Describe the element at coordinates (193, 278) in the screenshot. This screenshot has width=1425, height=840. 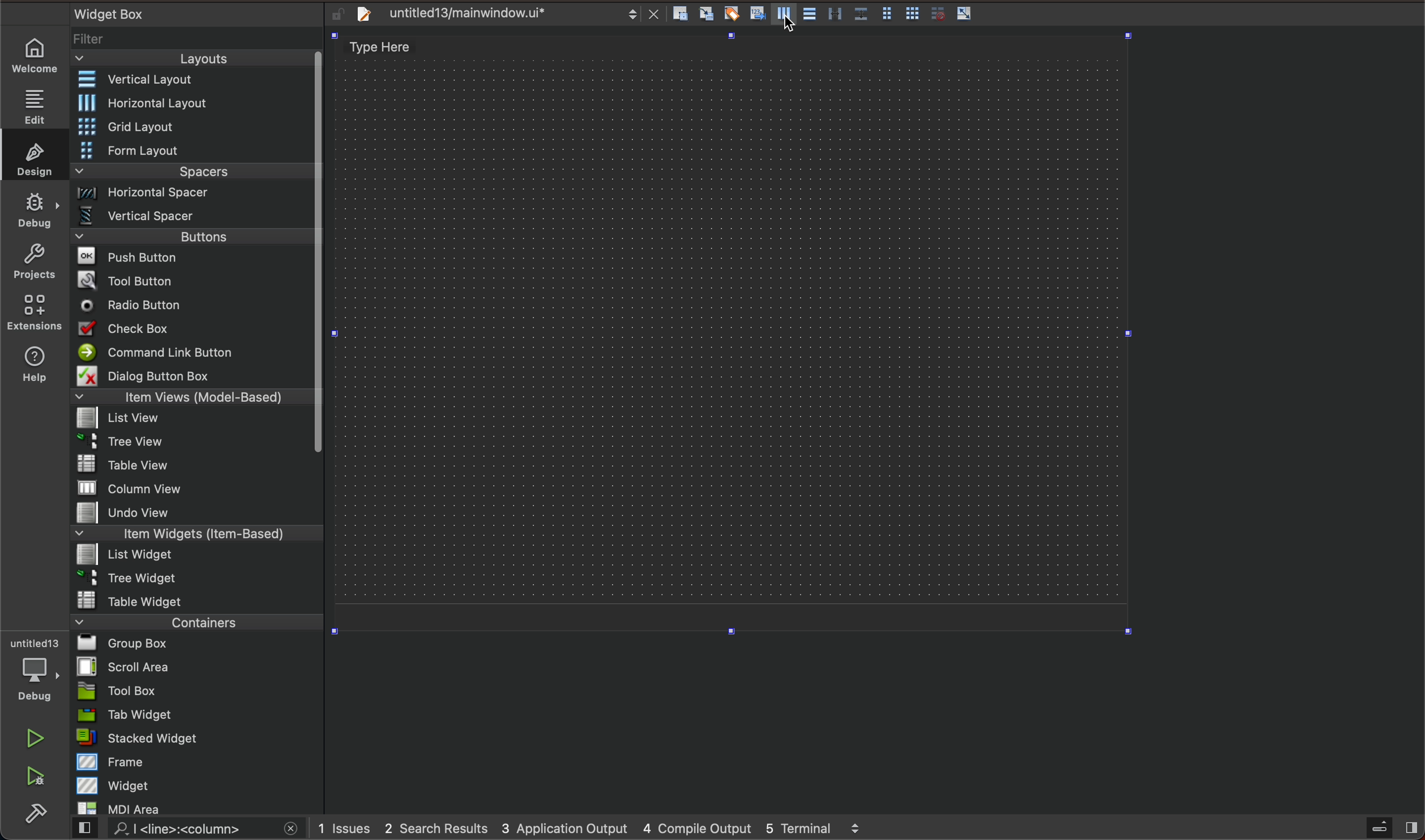
I see `tool button` at that location.